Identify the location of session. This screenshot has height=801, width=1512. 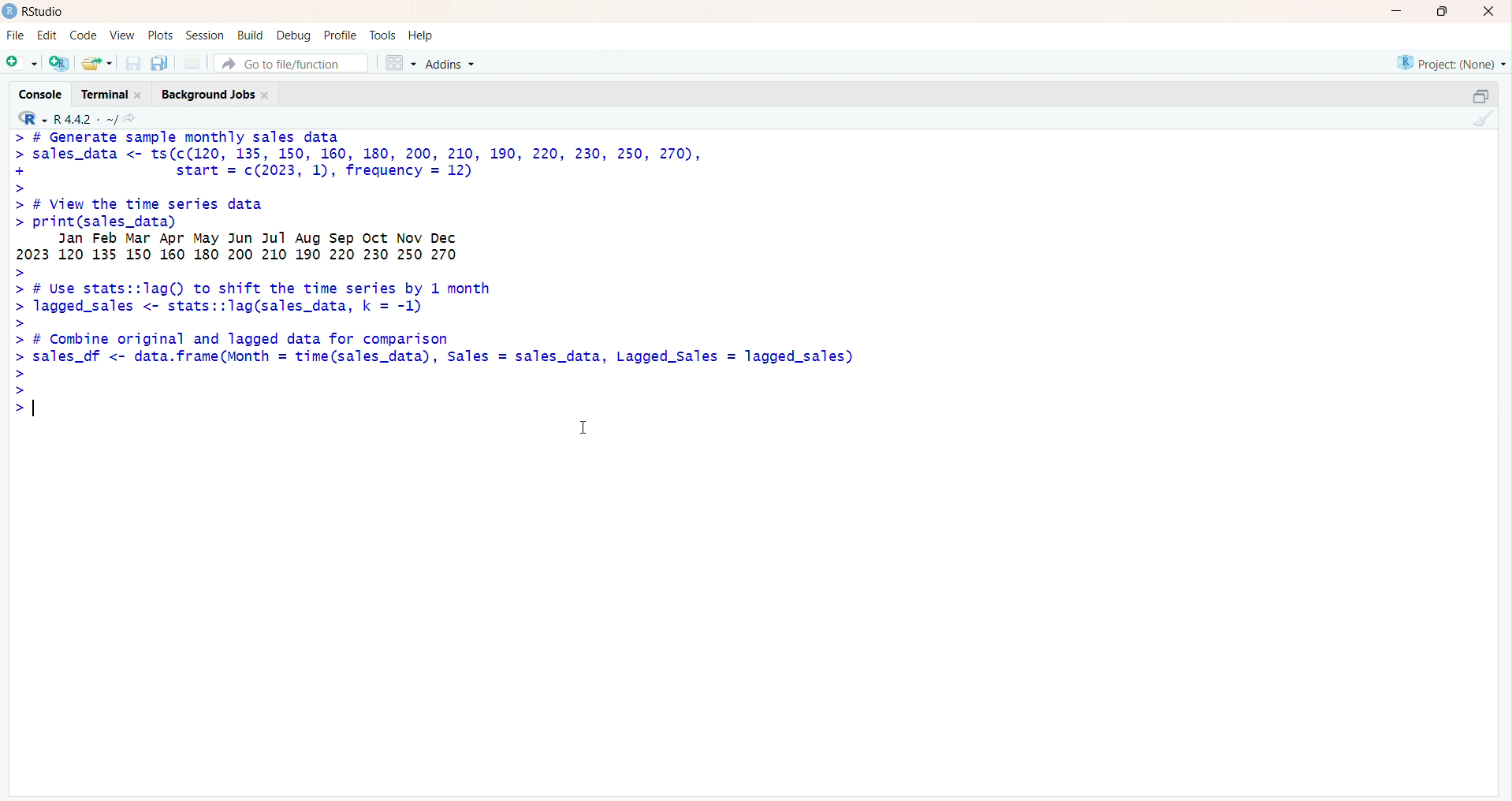
(205, 35).